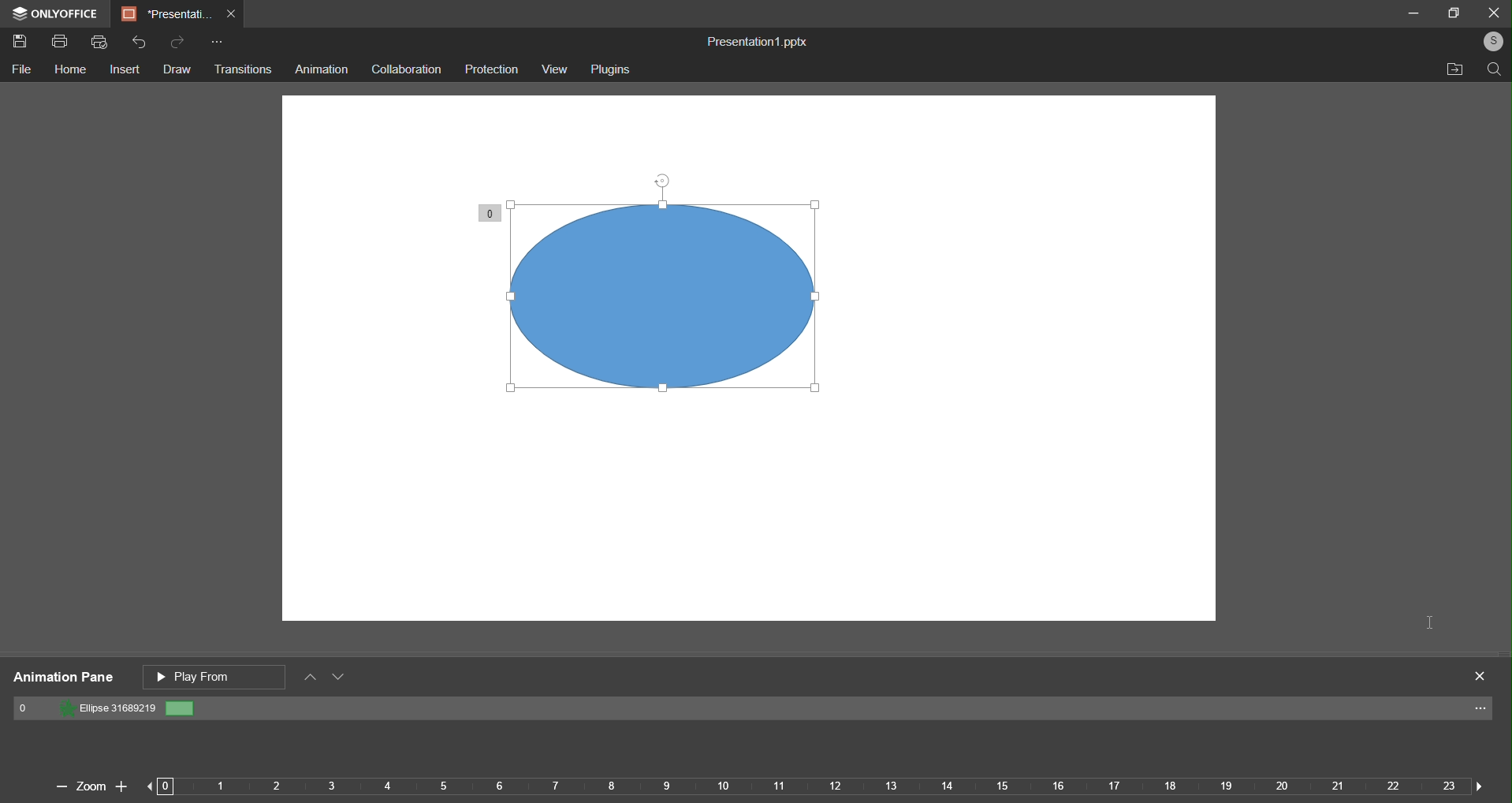 The image size is (1512, 803). What do you see at coordinates (55, 13) in the screenshot?
I see `Logo` at bounding box center [55, 13].